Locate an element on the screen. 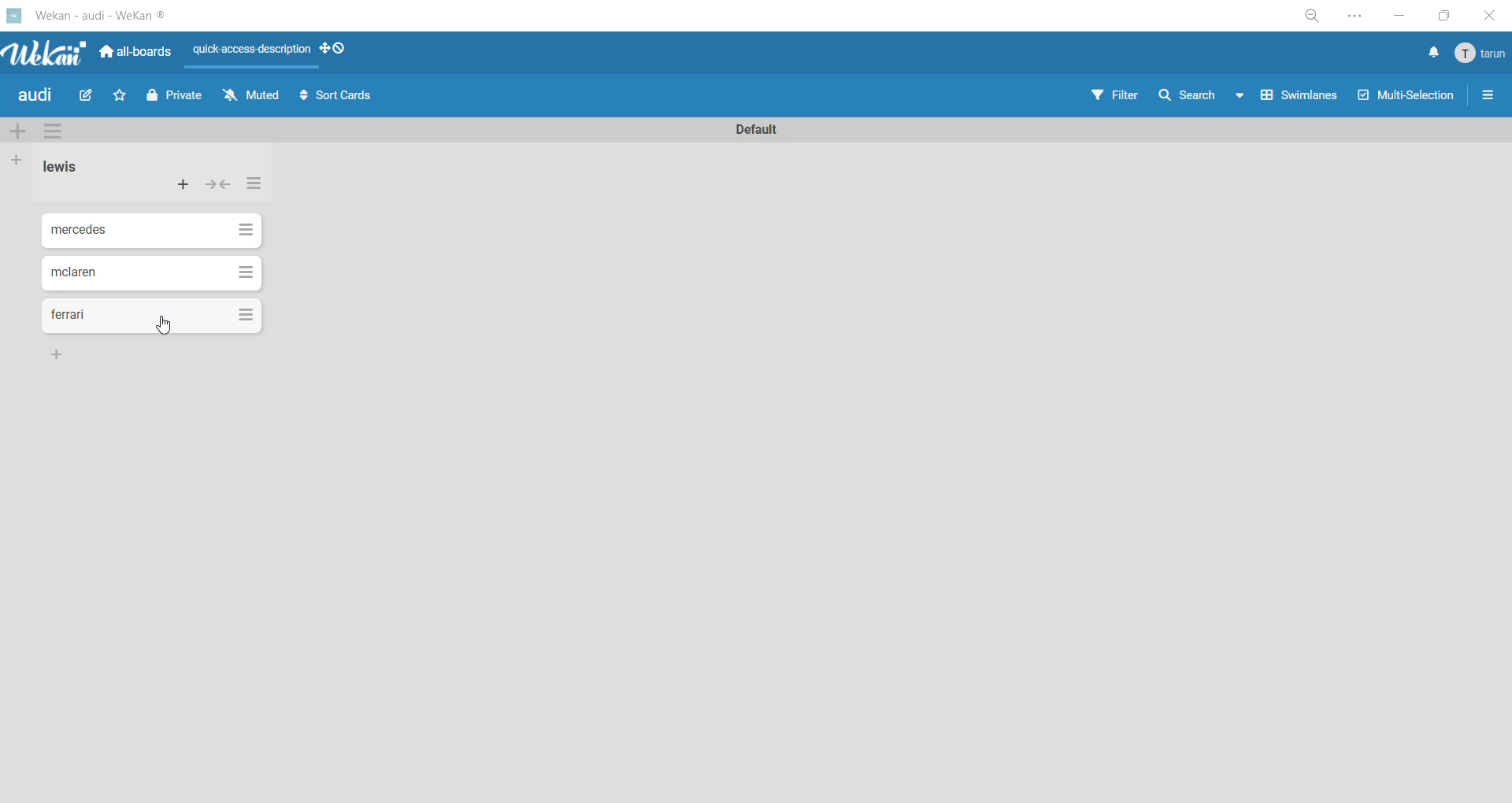 The width and height of the screenshot is (1512, 803). list actions is located at coordinates (251, 187).